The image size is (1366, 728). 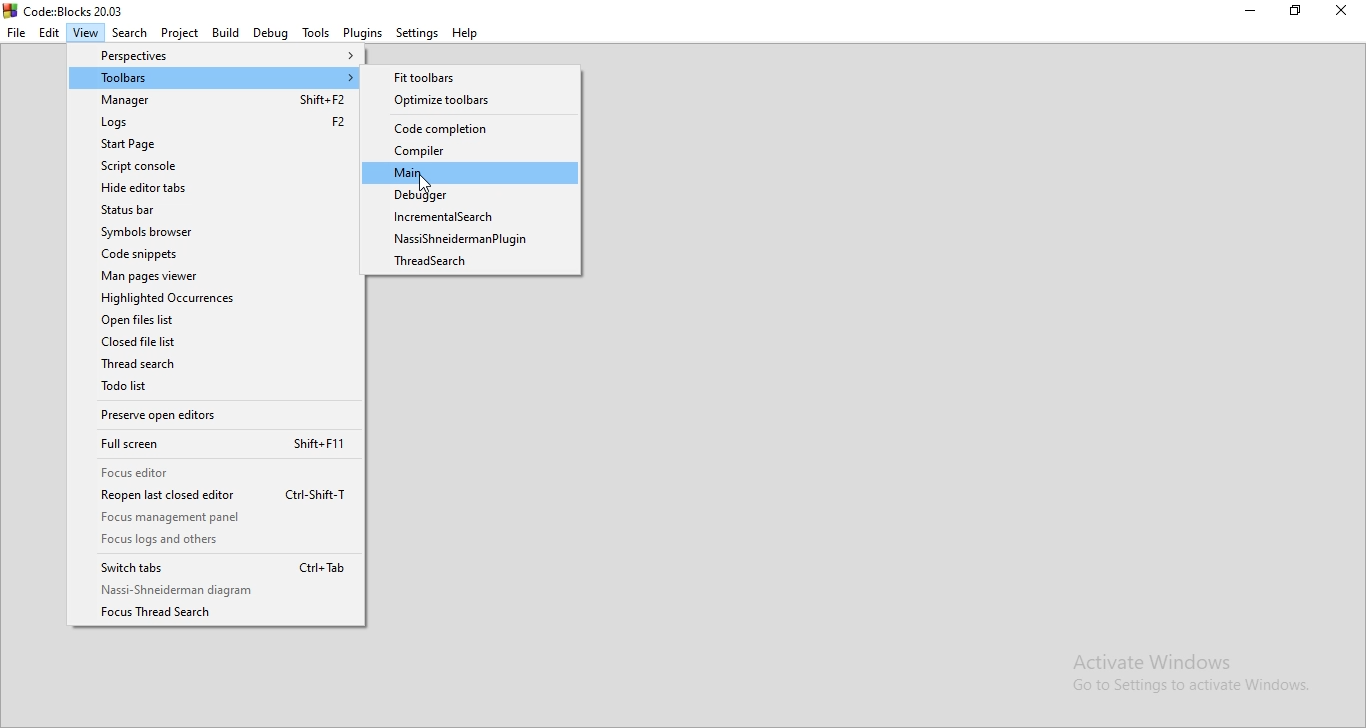 I want to click on Code completion, so click(x=472, y=130).